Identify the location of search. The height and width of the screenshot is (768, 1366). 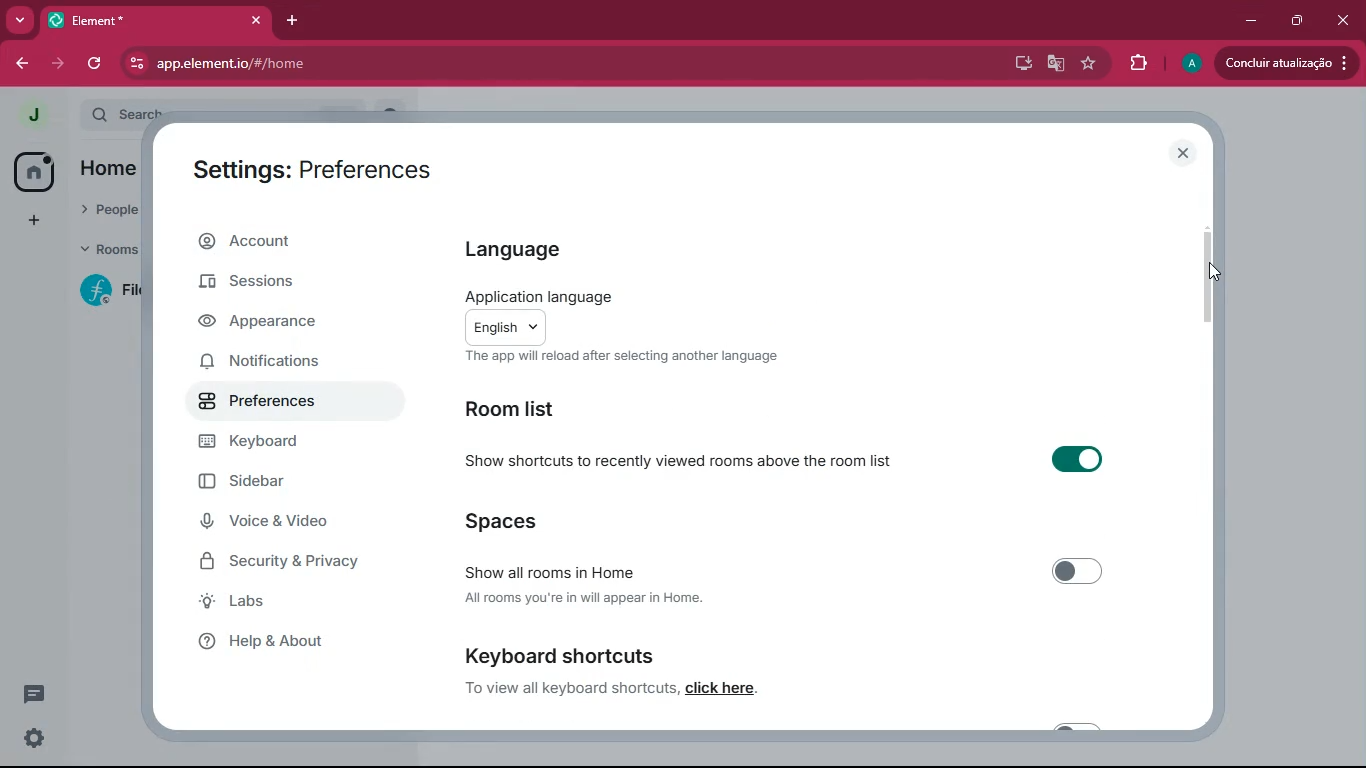
(125, 109).